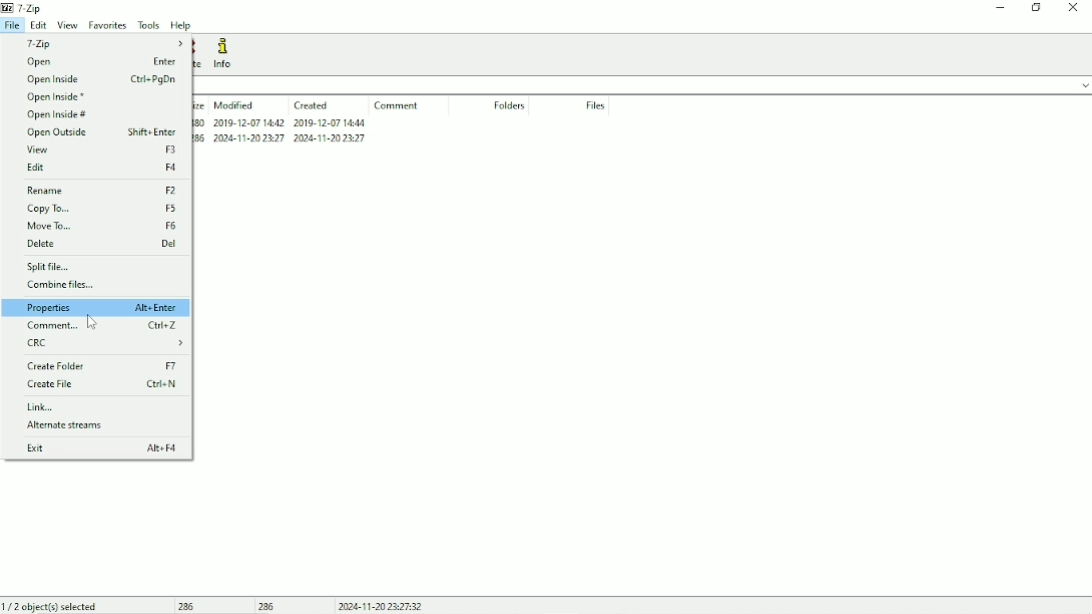 Image resolution: width=1092 pixels, height=614 pixels. I want to click on Create File, so click(103, 385).